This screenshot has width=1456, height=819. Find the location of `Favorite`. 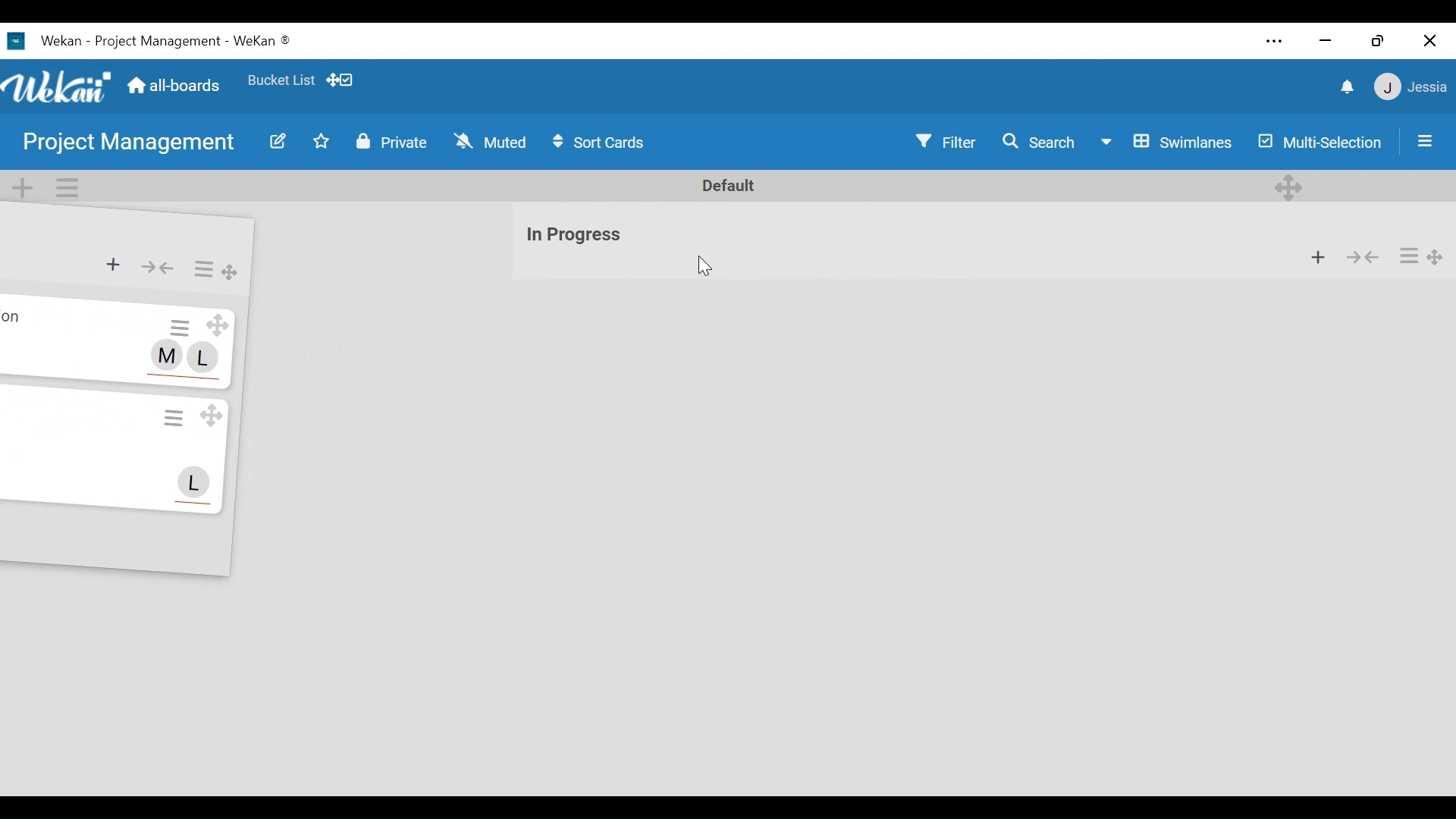

Favorite is located at coordinates (280, 80).